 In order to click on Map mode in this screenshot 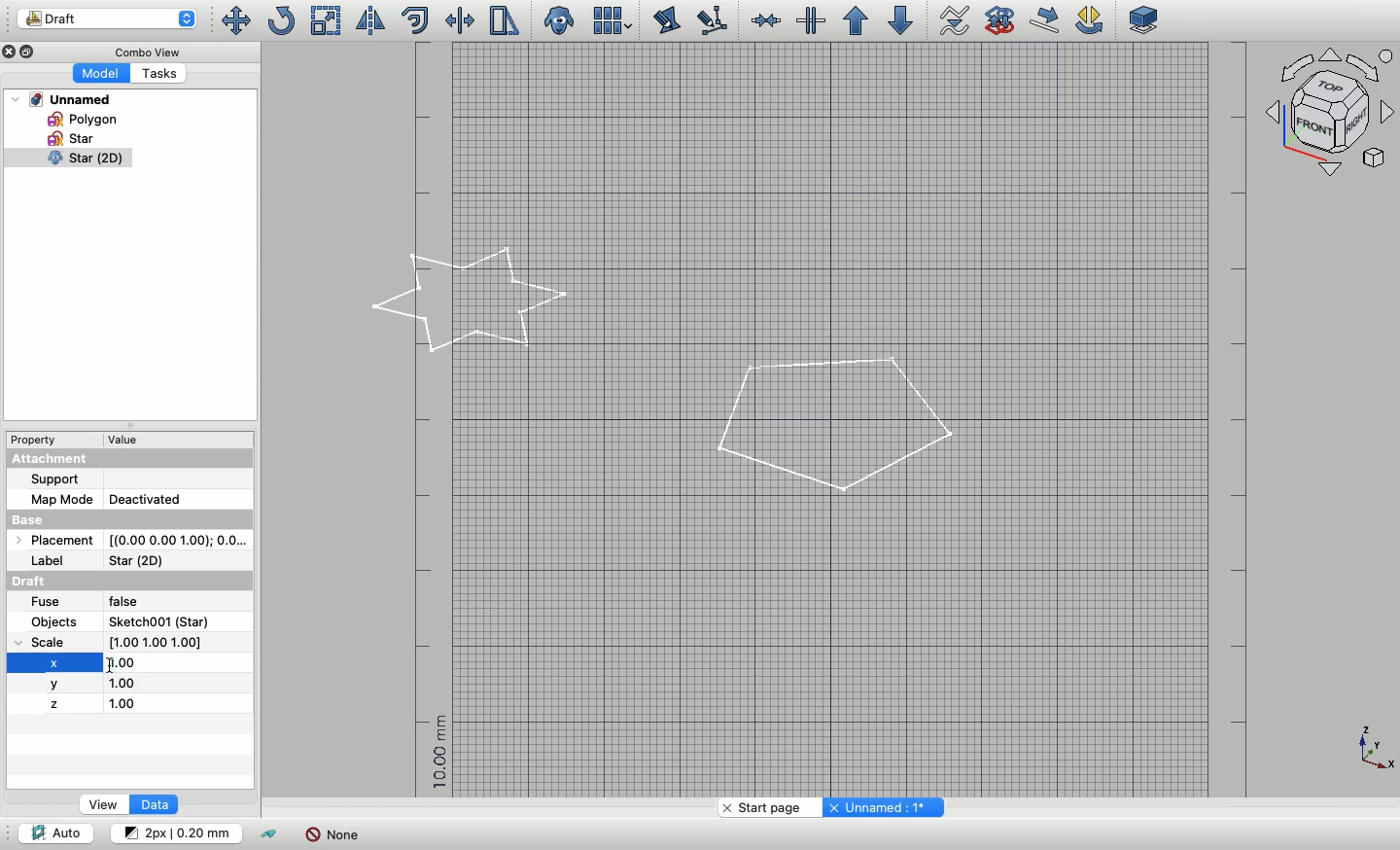, I will do `click(61, 500)`.